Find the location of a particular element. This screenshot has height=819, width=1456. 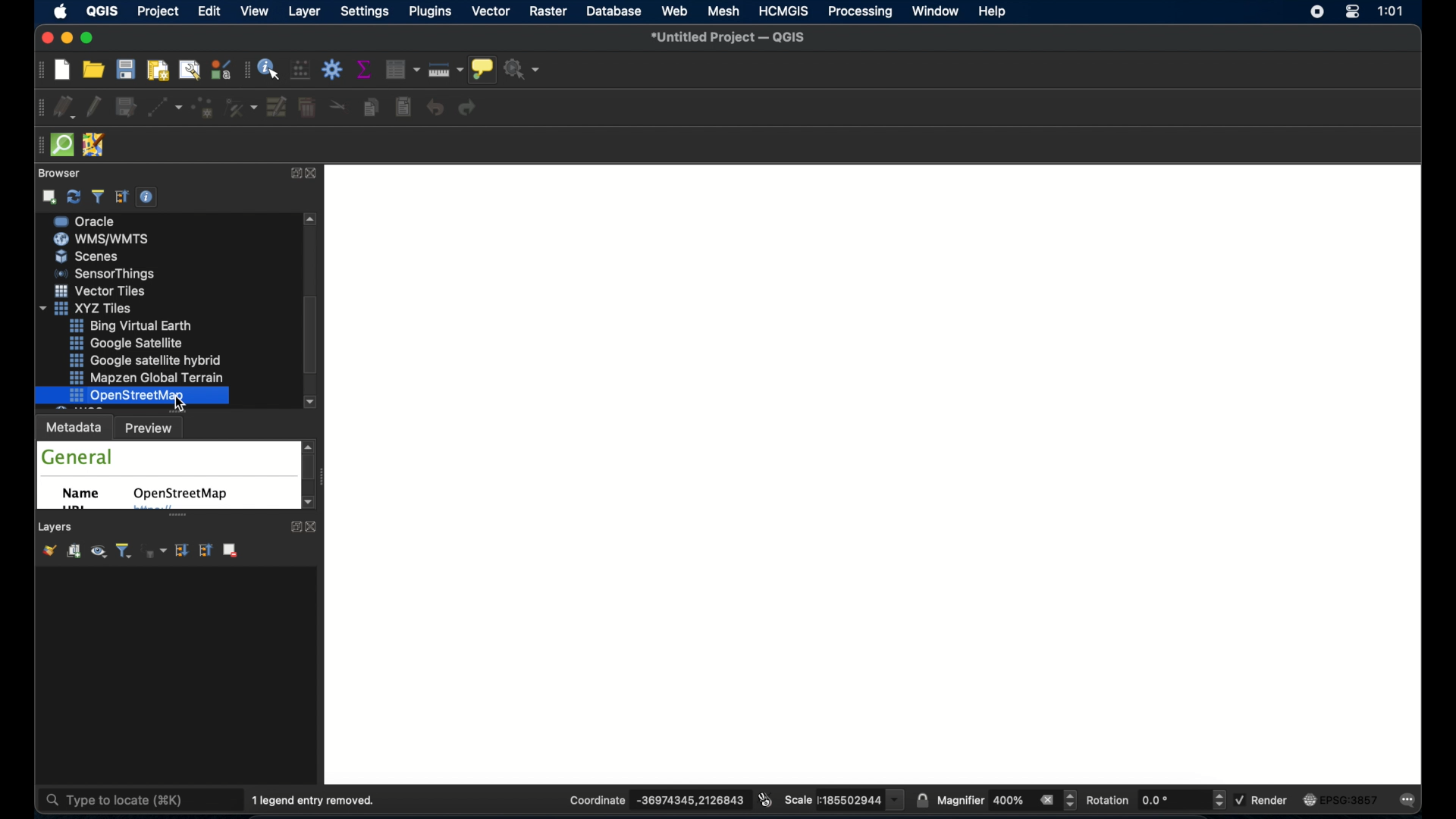

URL is located at coordinates (74, 509).